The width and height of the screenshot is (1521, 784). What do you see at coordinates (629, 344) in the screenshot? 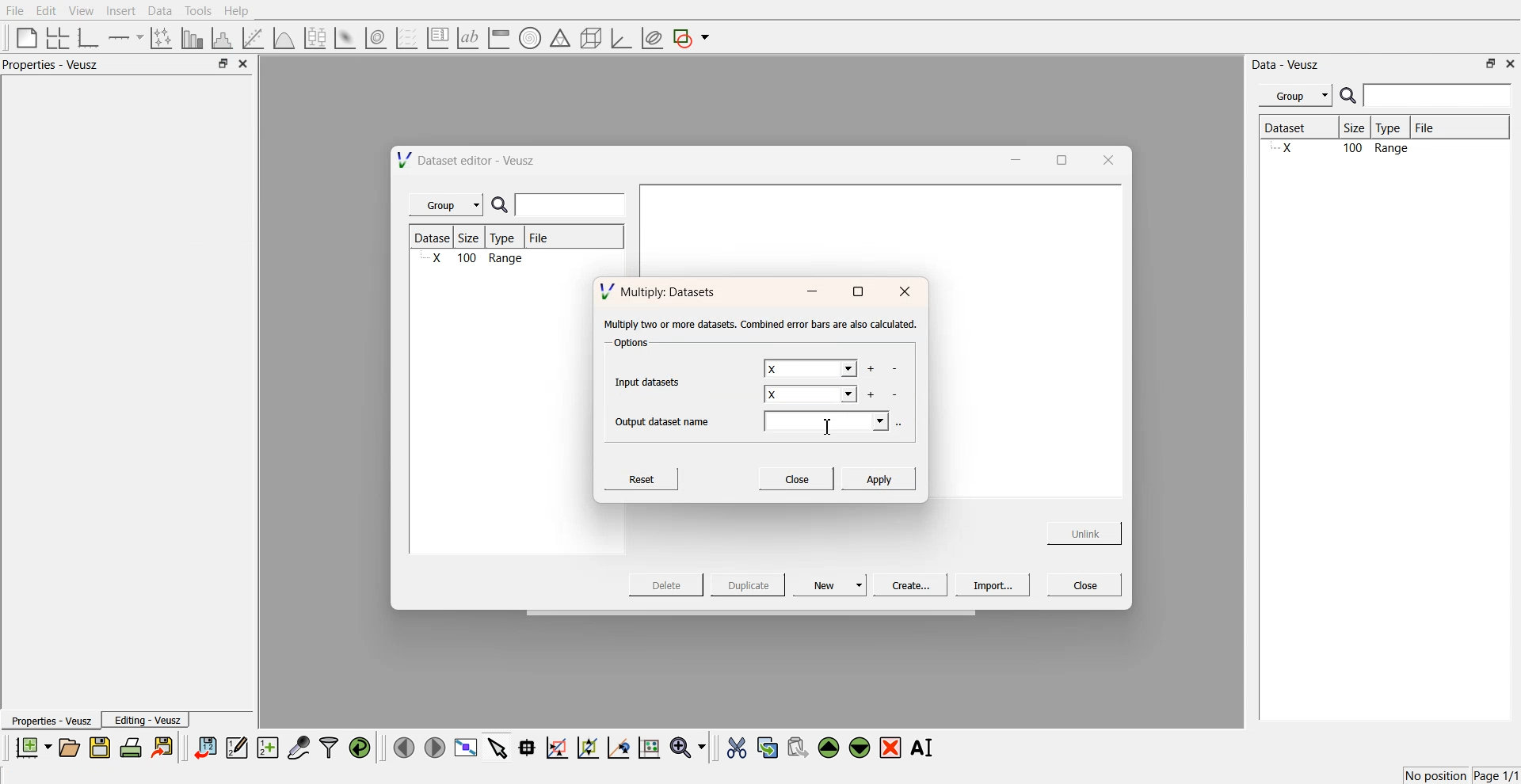
I see `Options` at bounding box center [629, 344].